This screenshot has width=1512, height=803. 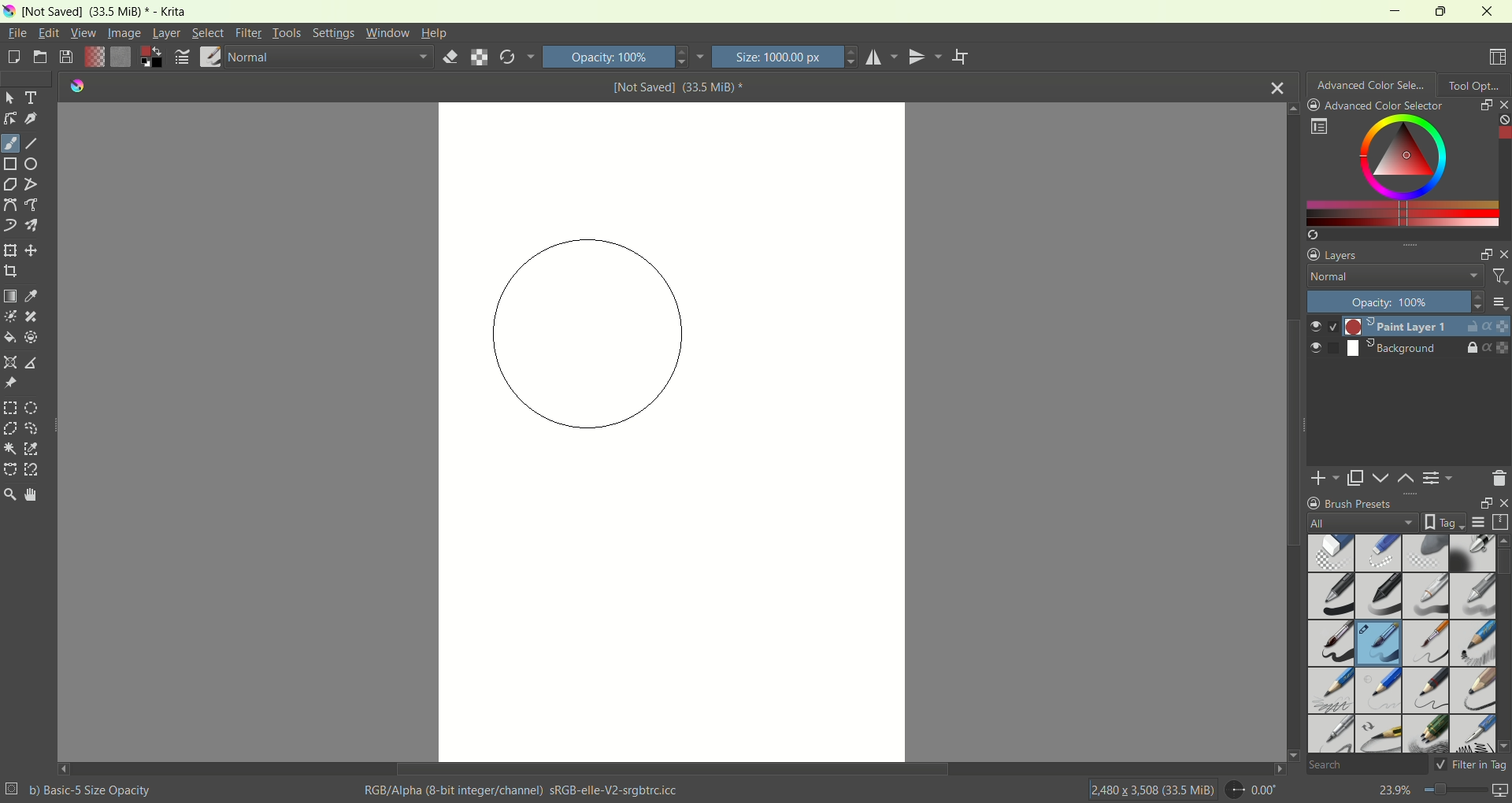 What do you see at coordinates (31, 225) in the screenshot?
I see `multibrush` at bounding box center [31, 225].